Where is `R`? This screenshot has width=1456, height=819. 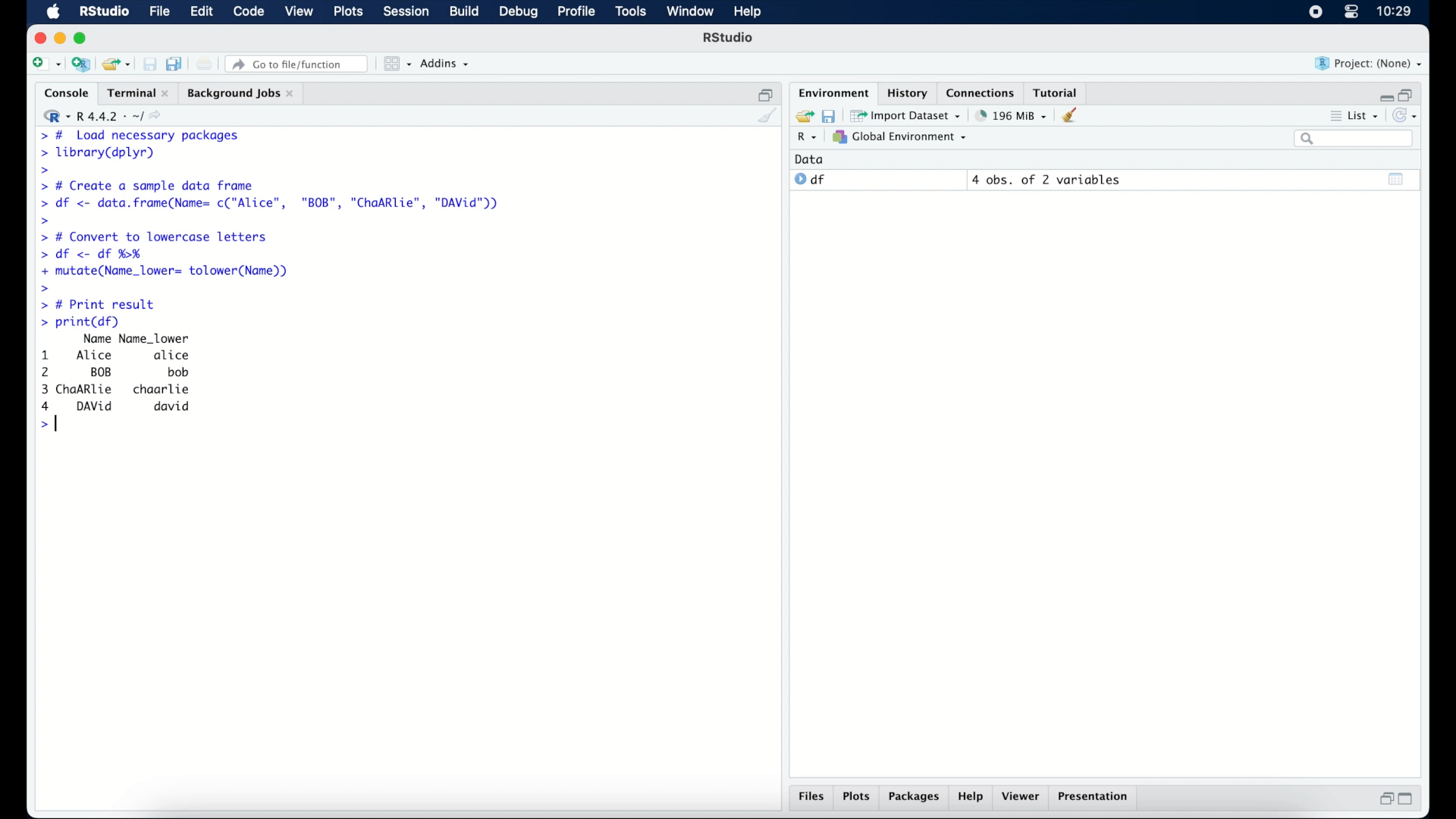
R is located at coordinates (805, 139).